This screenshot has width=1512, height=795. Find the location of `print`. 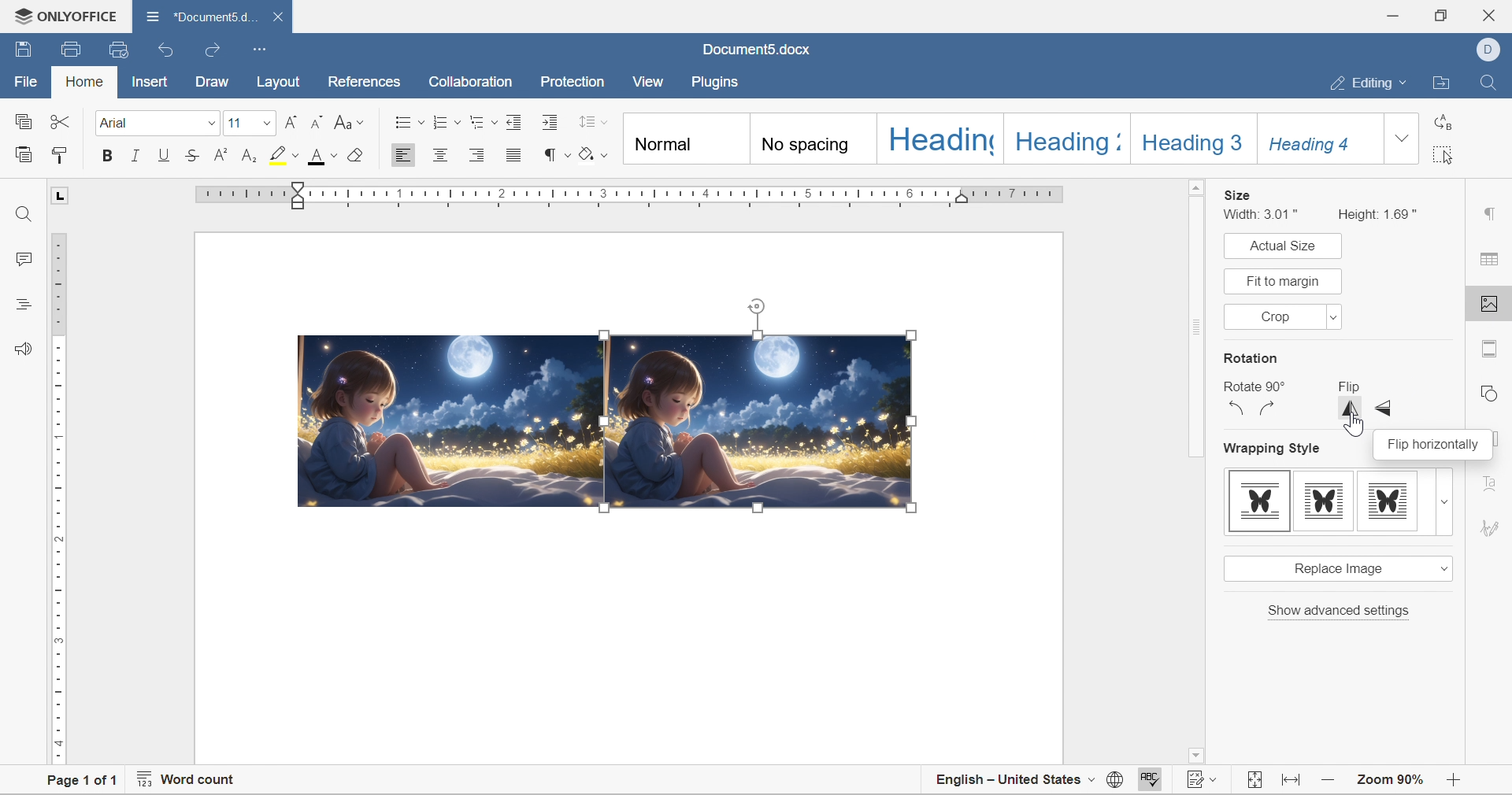

print is located at coordinates (69, 52).